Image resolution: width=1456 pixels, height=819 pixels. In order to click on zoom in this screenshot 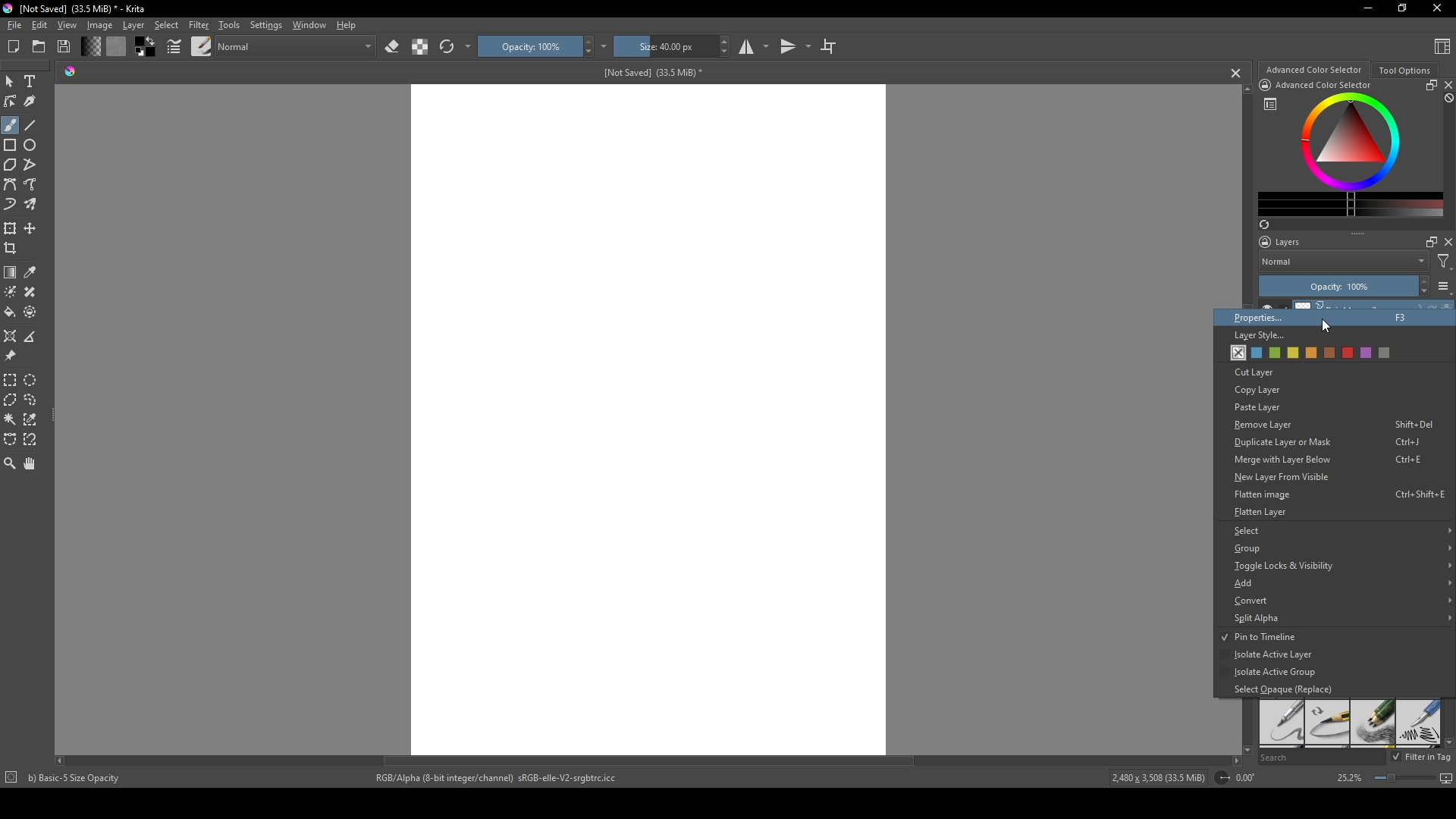, I will do `click(10, 463)`.